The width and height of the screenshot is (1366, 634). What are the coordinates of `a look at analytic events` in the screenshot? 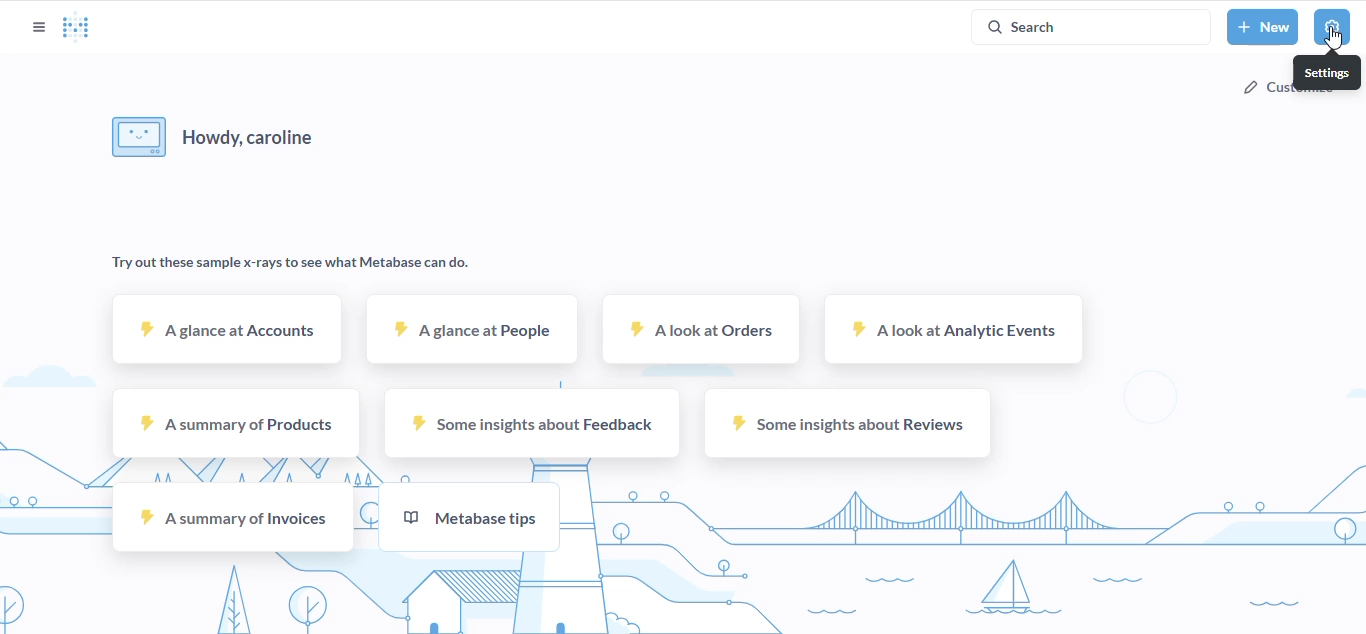 It's located at (952, 328).